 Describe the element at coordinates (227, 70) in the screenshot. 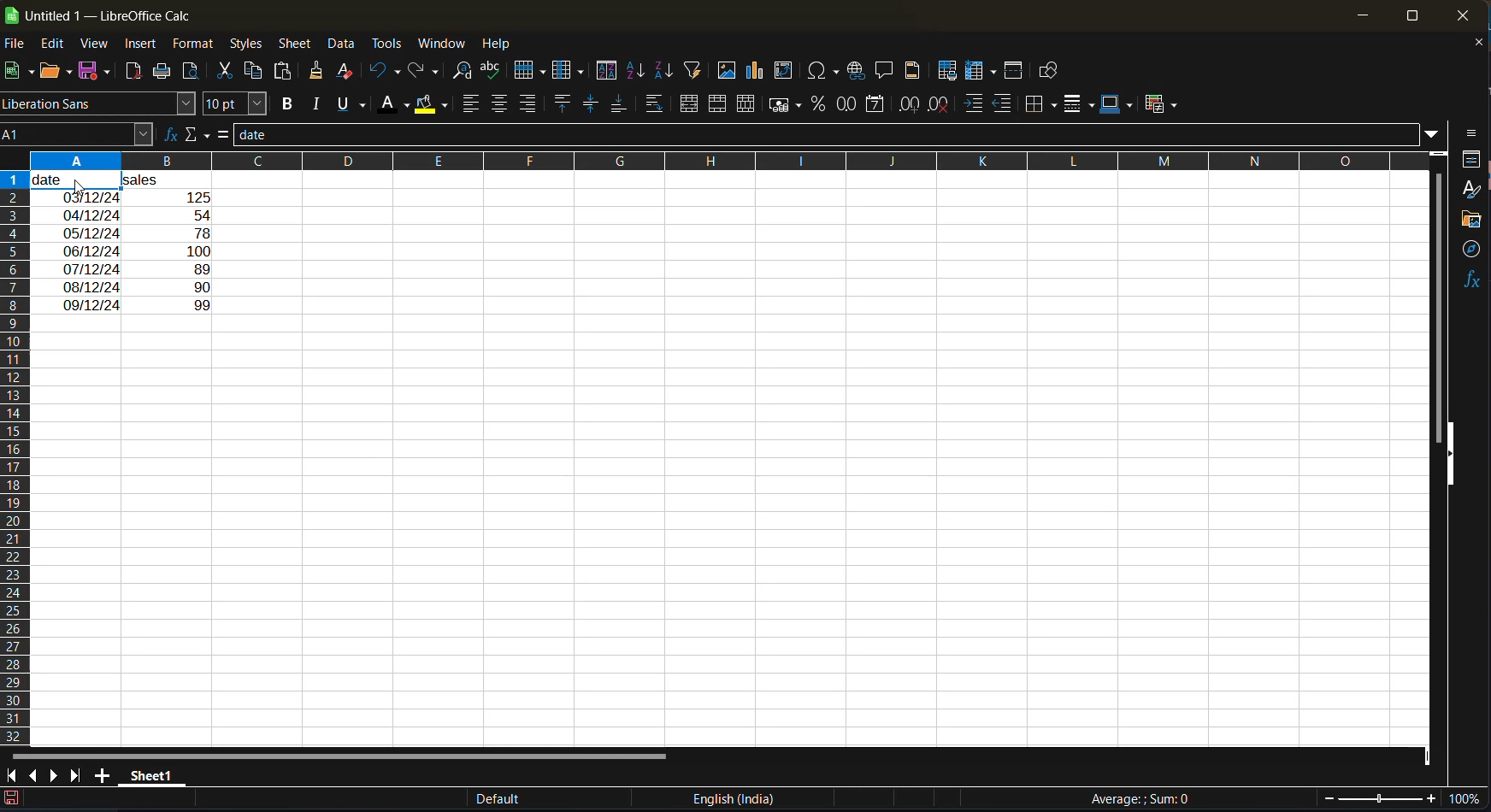

I see `cut` at that location.